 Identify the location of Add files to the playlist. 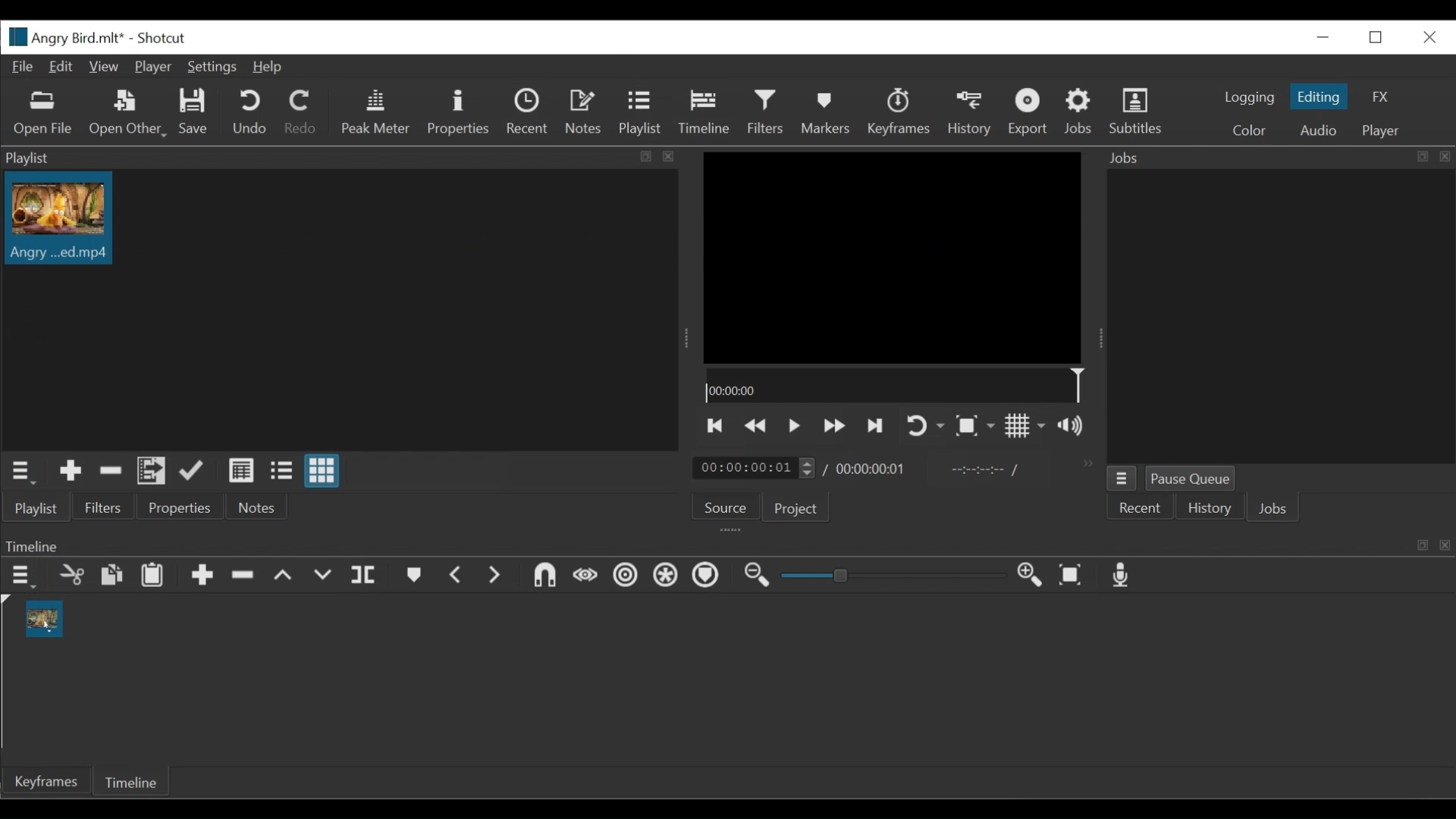
(151, 472).